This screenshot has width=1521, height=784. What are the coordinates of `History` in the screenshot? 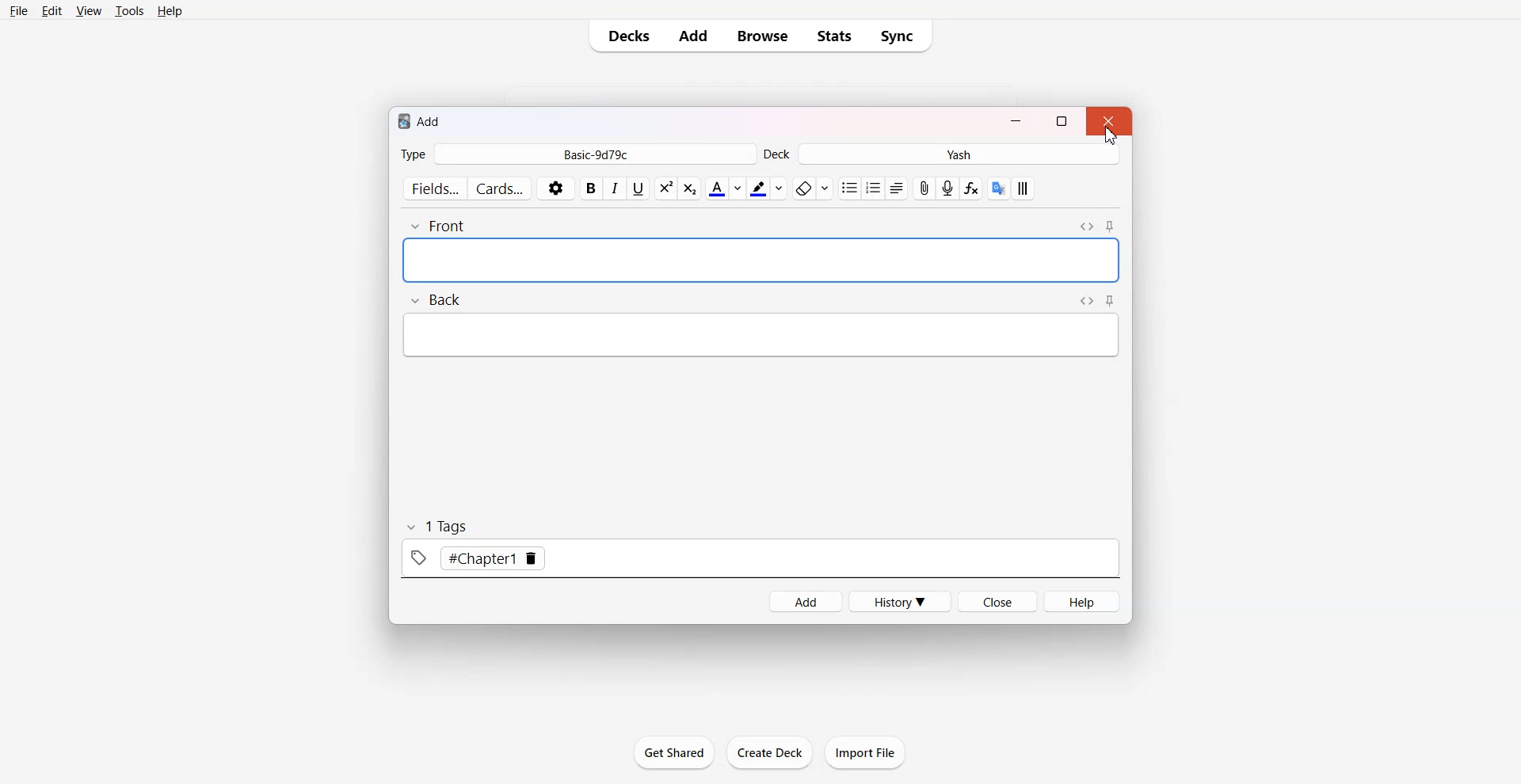 It's located at (901, 601).